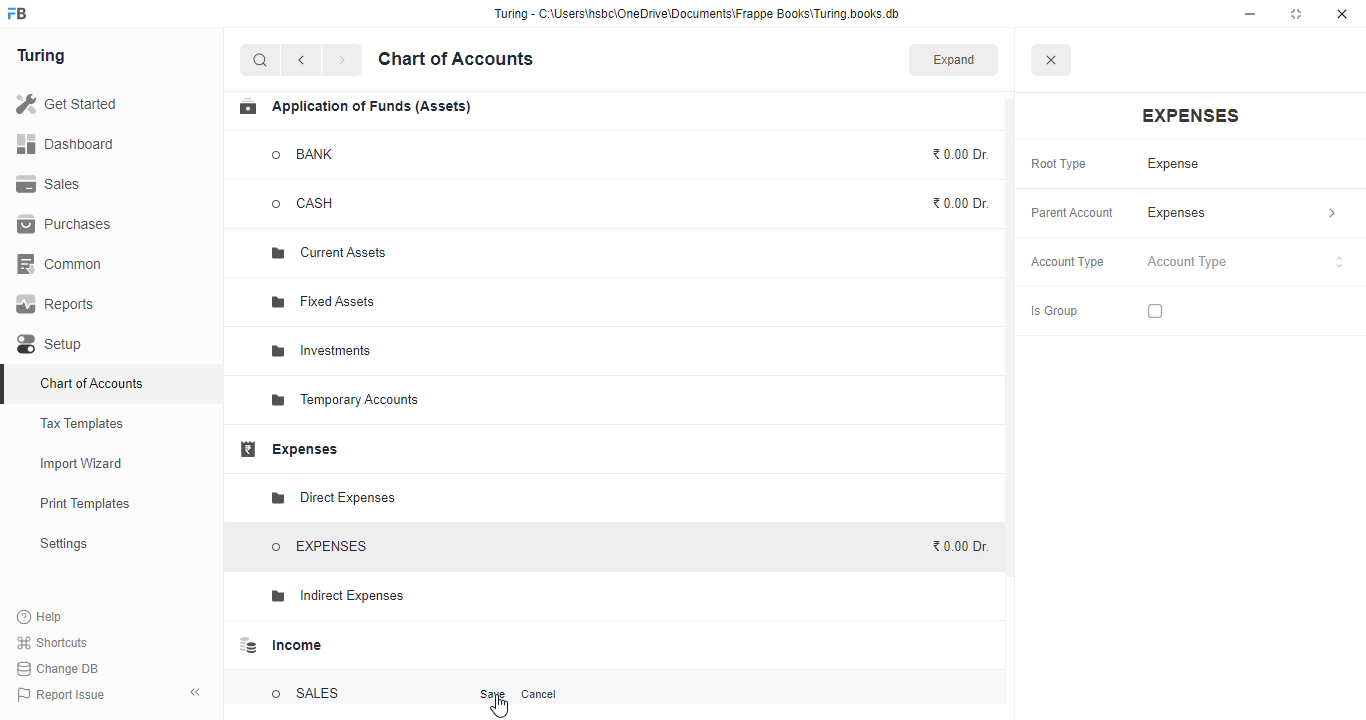  Describe the element at coordinates (1054, 312) in the screenshot. I see `is group` at that location.